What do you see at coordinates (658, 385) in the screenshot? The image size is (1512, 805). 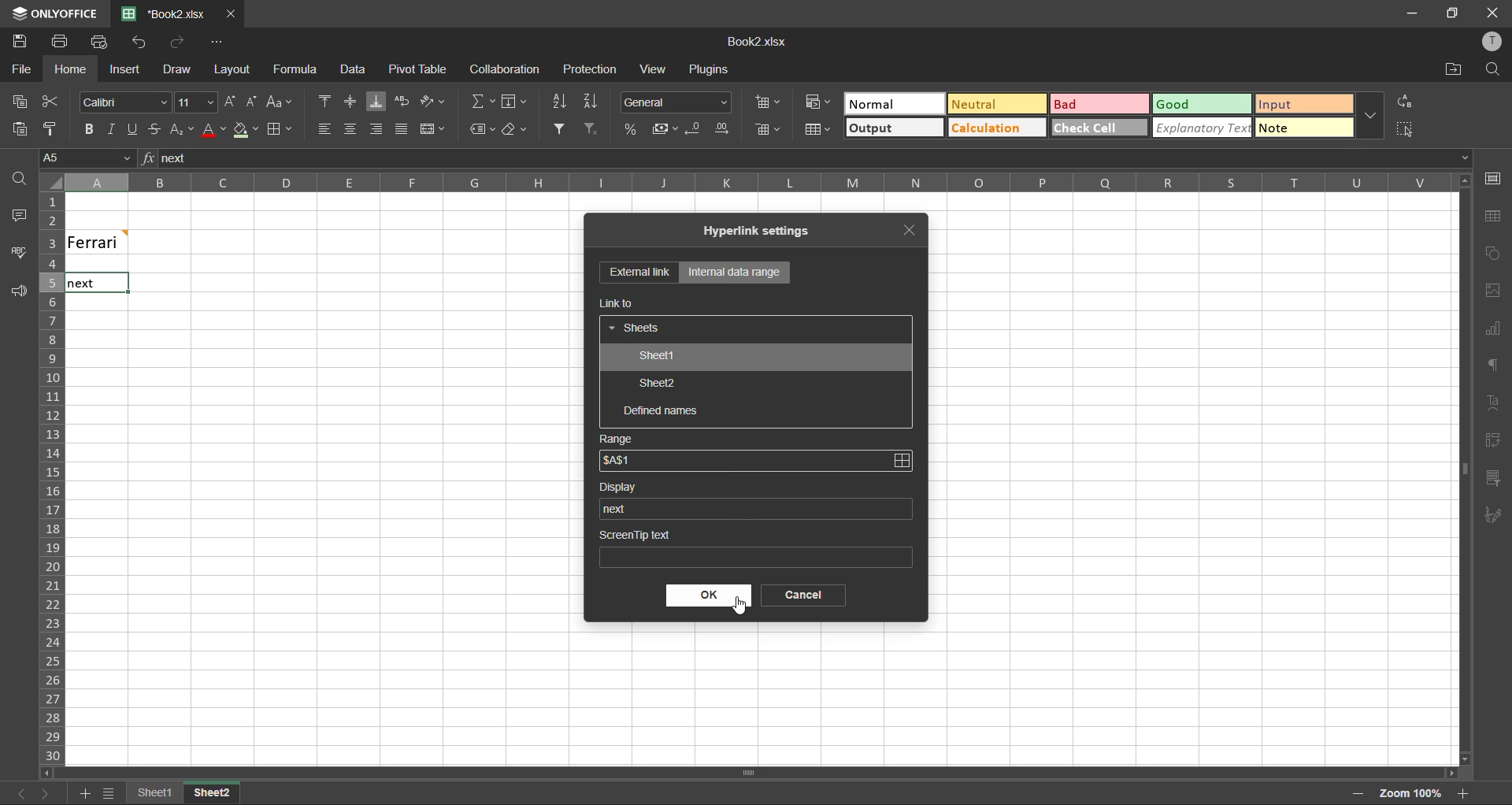 I see `sheet2` at bounding box center [658, 385].